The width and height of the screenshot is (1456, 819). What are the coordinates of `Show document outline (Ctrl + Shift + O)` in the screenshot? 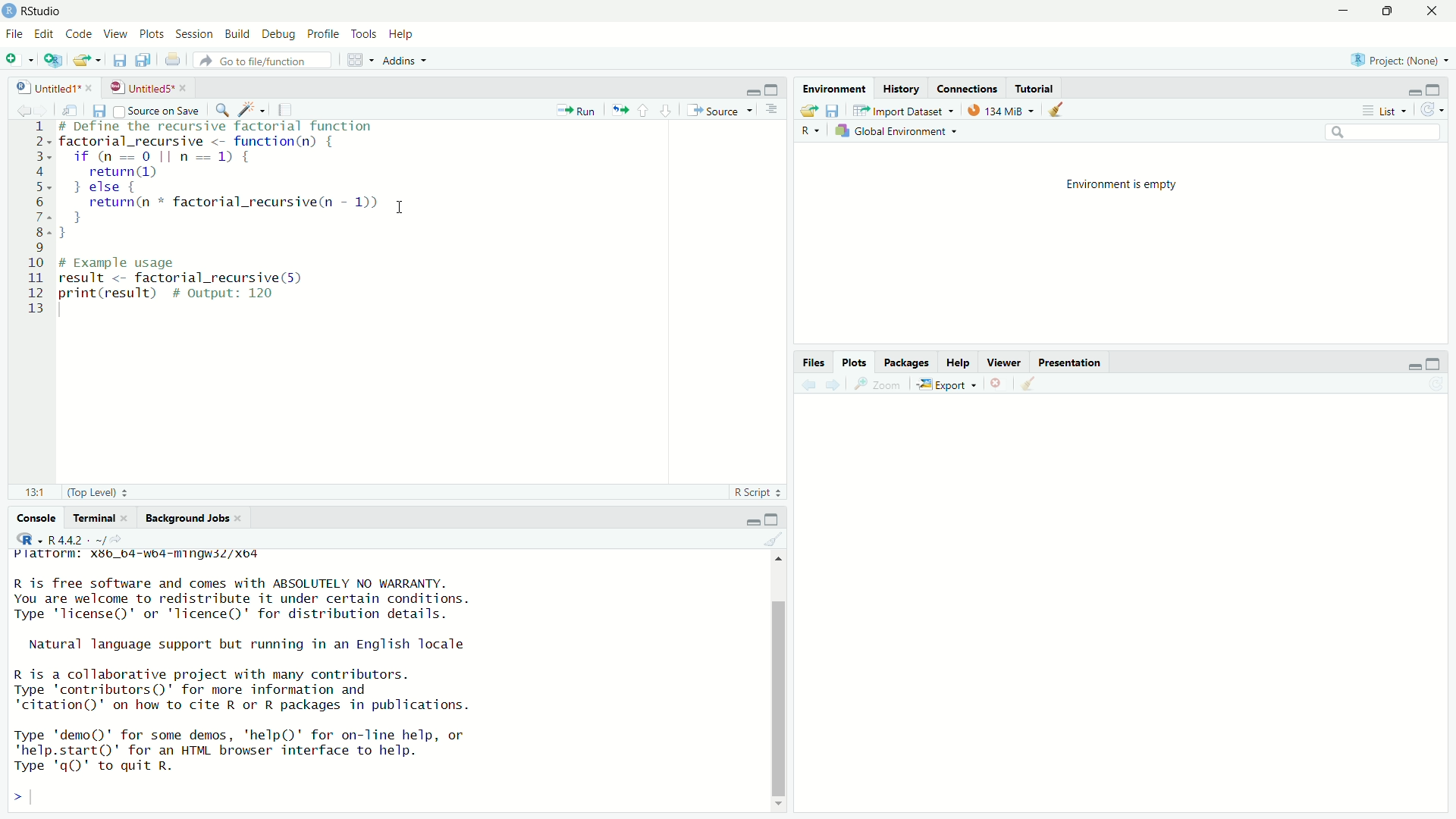 It's located at (774, 111).